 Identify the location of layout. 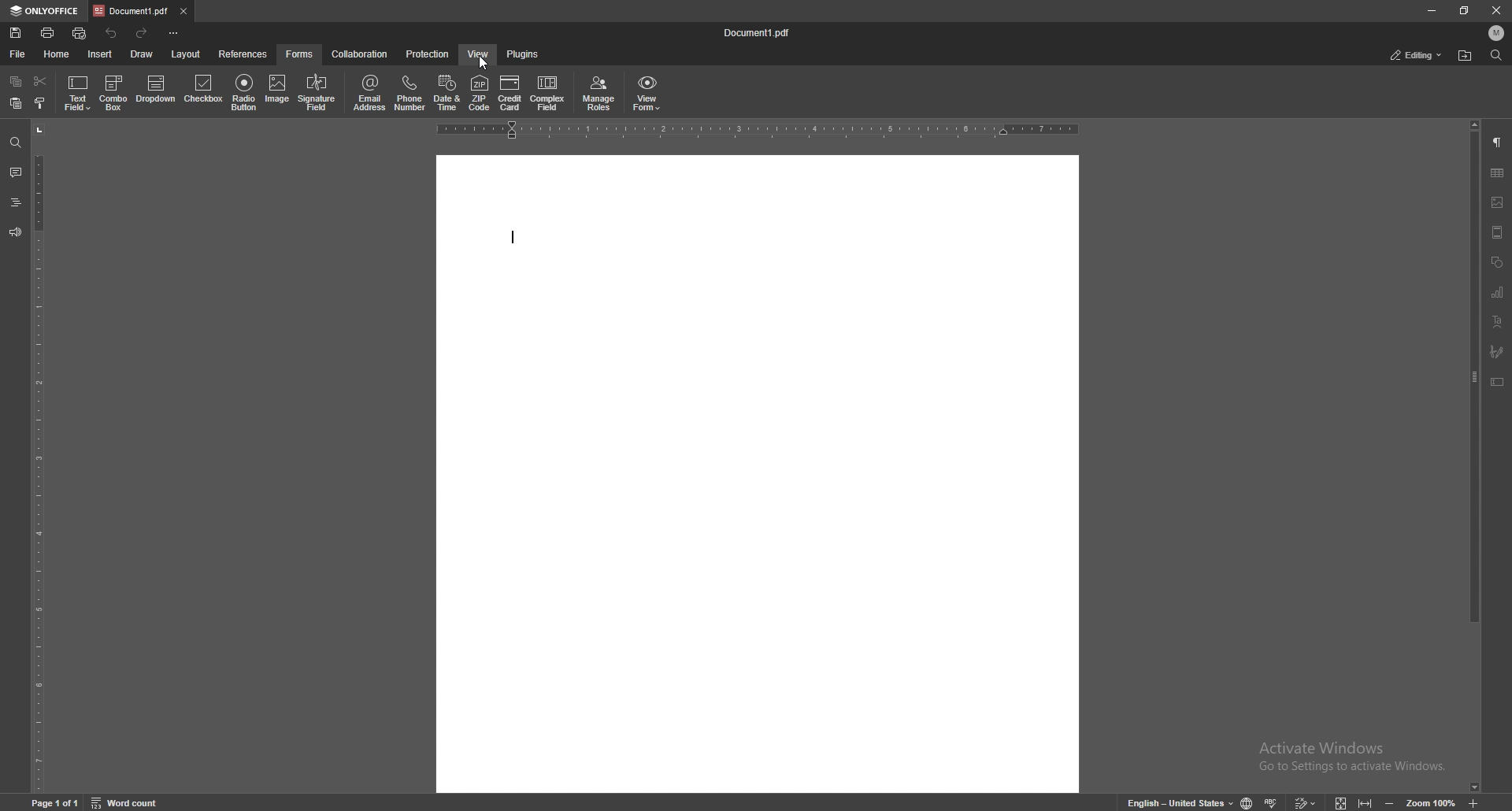
(185, 54).